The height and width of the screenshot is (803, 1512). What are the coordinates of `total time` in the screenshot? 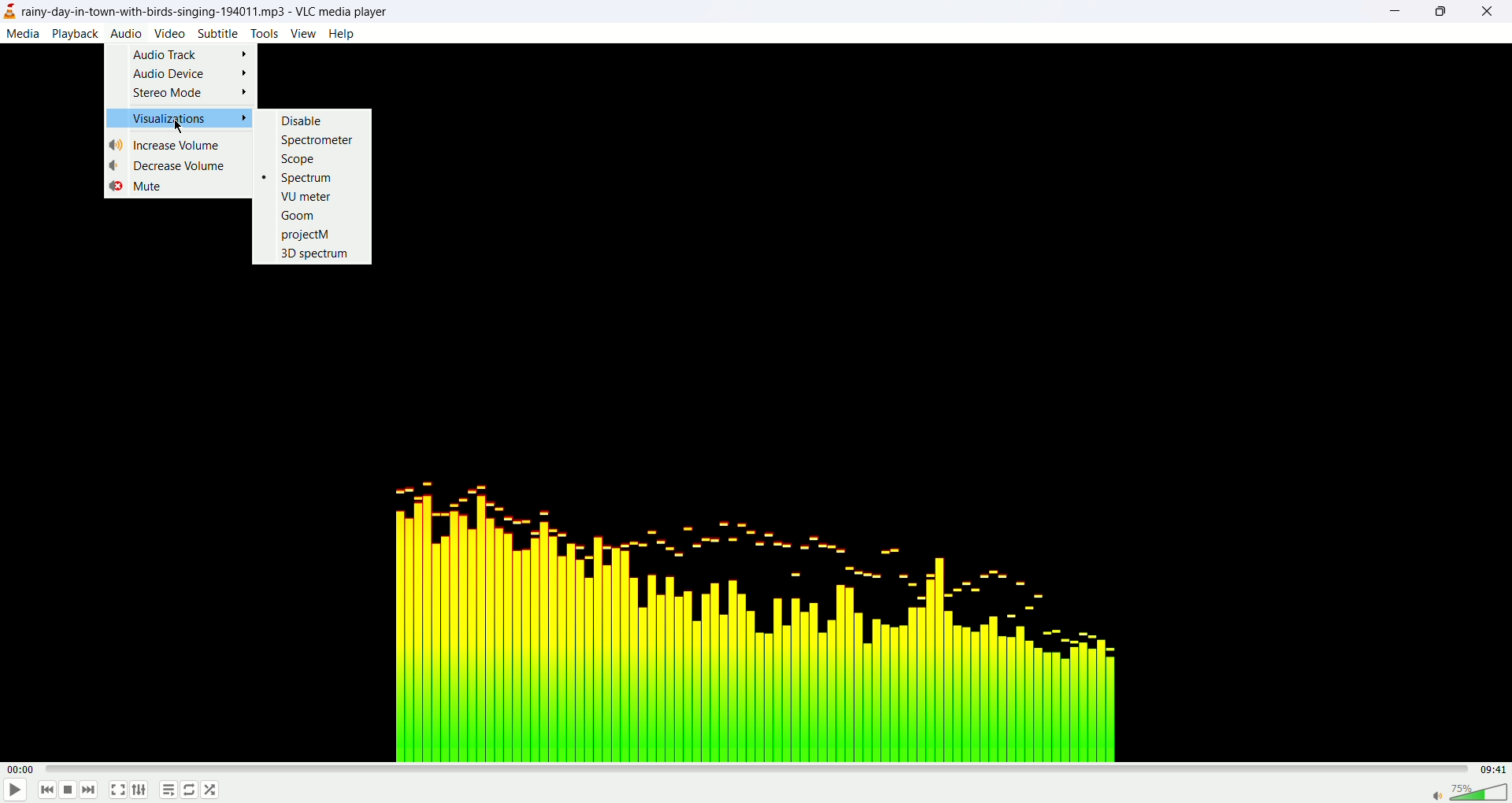 It's located at (1496, 769).